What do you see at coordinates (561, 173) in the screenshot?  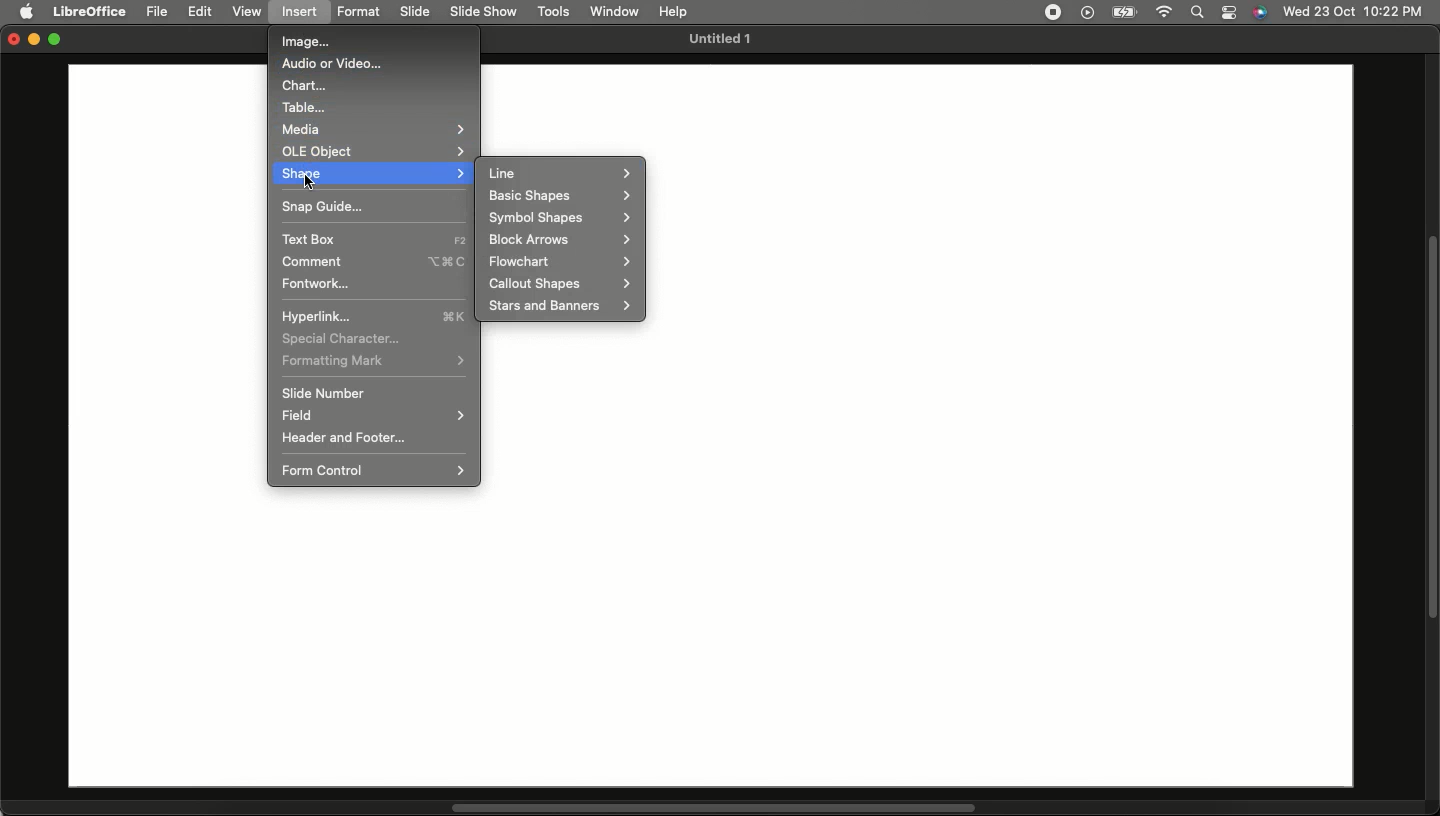 I see `Line` at bounding box center [561, 173].